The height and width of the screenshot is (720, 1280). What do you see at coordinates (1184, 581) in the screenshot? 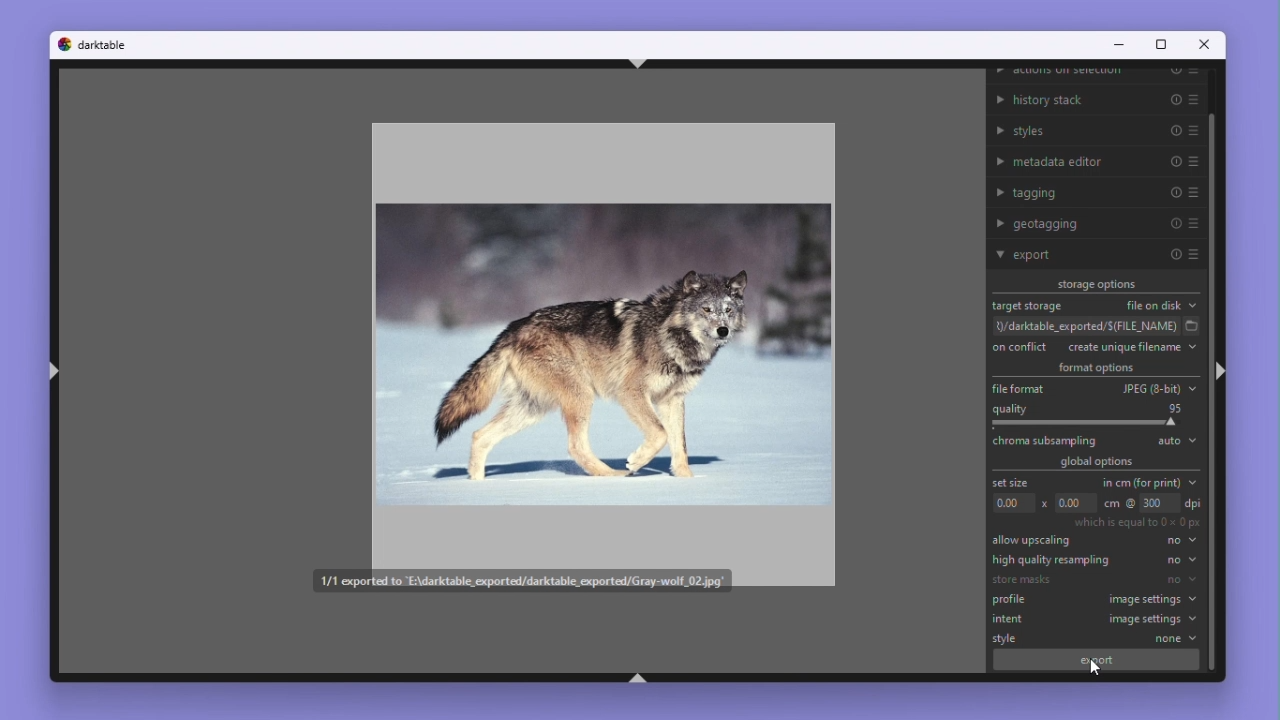
I see `no` at bounding box center [1184, 581].